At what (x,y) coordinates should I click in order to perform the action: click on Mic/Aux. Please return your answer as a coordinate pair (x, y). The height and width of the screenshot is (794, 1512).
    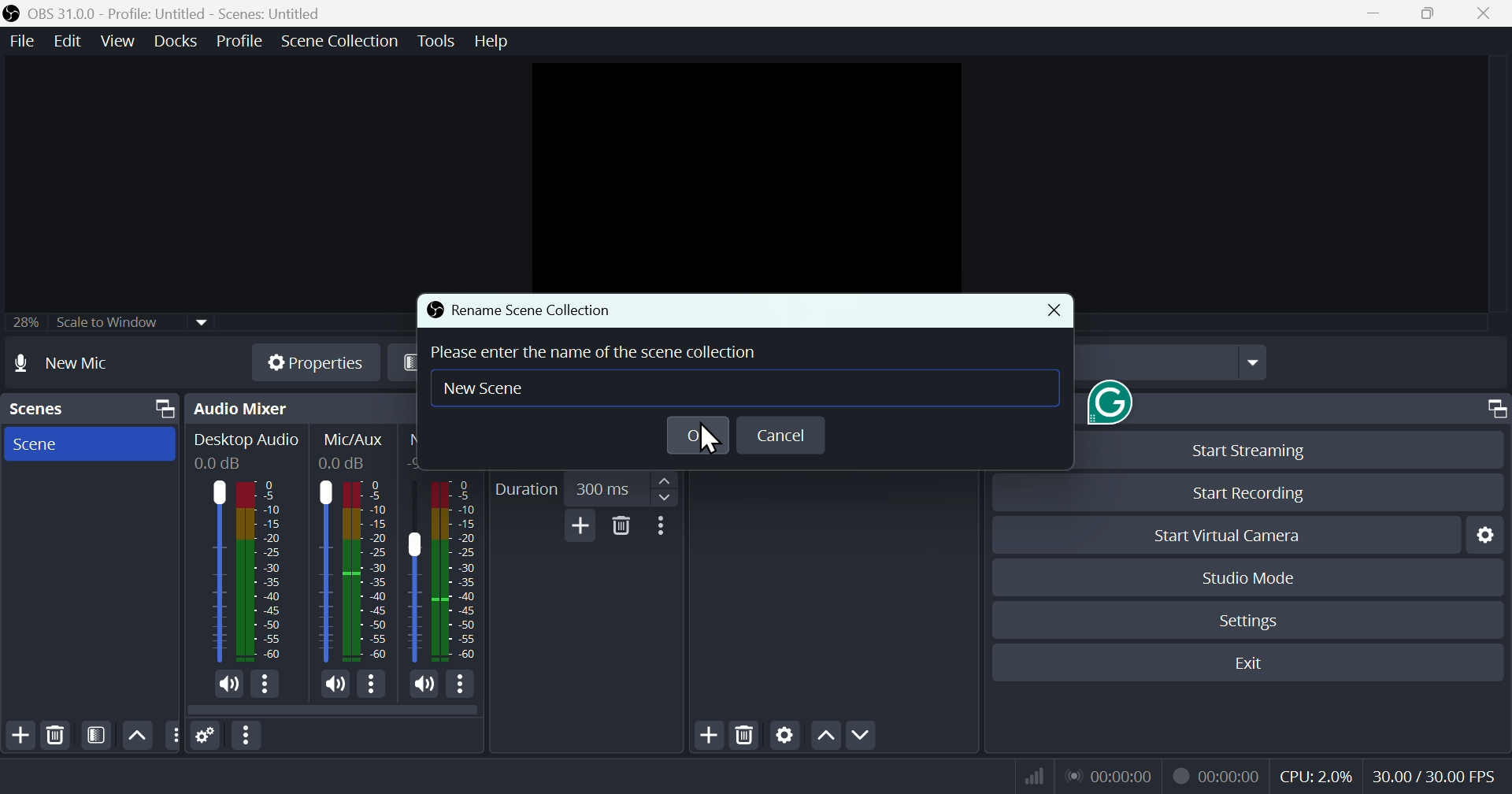
    Looking at the image, I should click on (322, 570).